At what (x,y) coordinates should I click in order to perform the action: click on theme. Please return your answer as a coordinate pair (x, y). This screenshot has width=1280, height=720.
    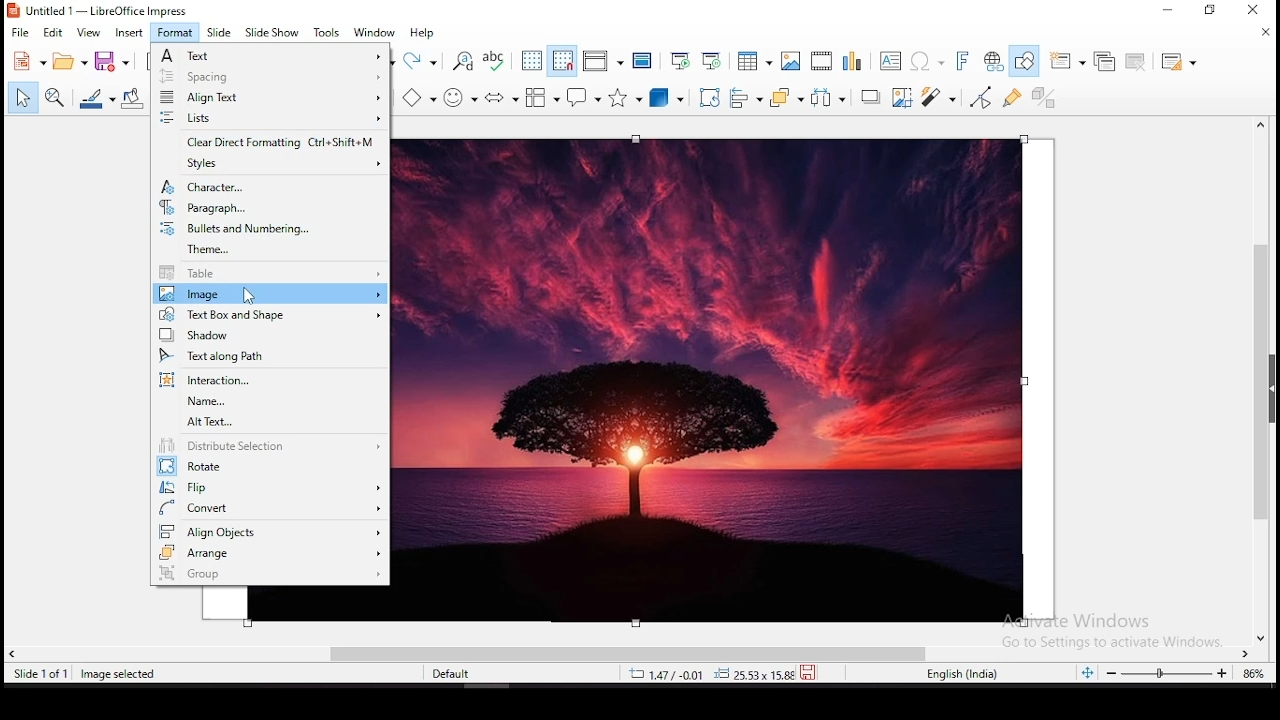
    Looking at the image, I should click on (272, 251).